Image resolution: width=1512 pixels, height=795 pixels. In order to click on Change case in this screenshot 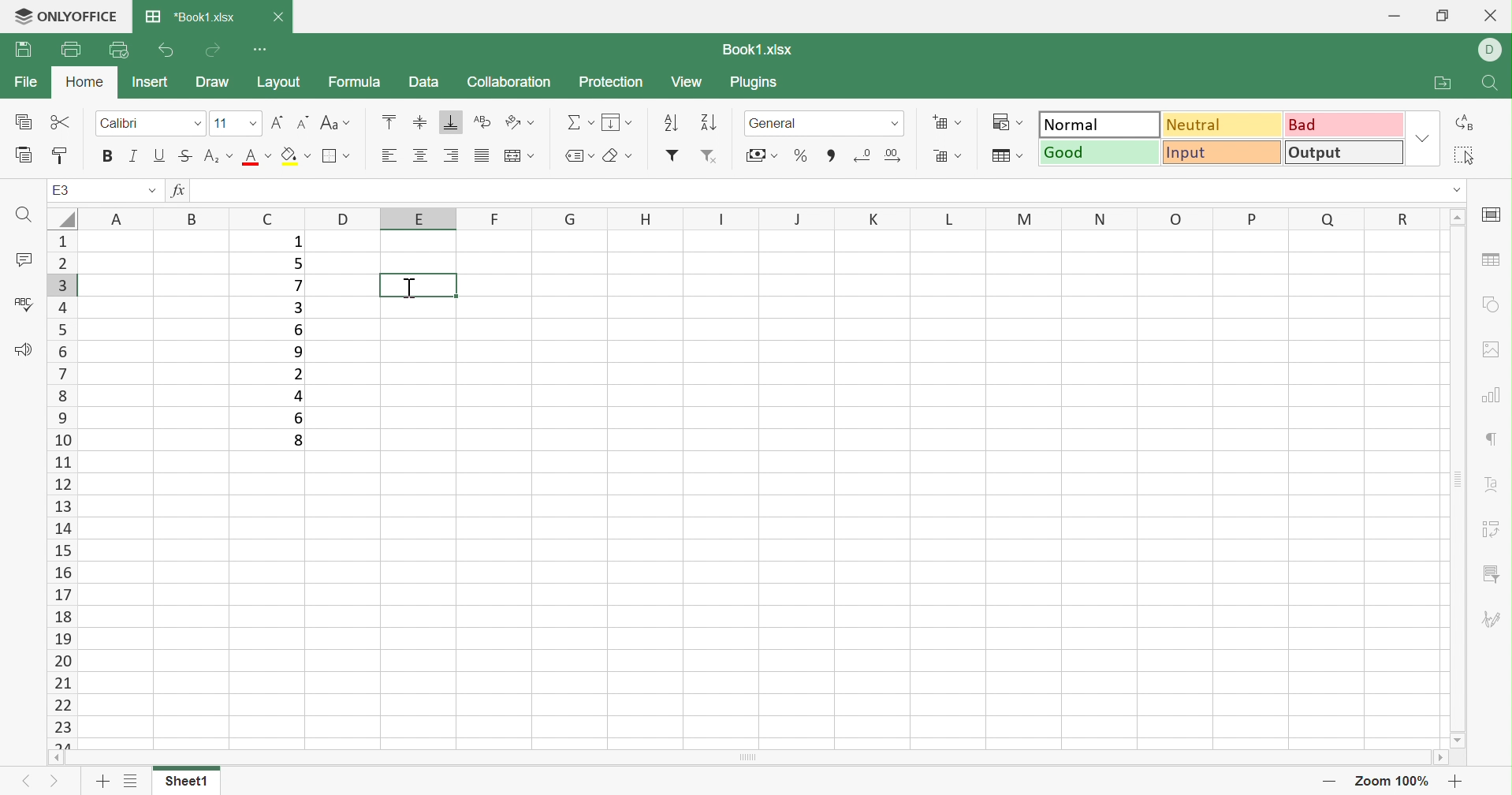, I will do `click(337, 125)`.